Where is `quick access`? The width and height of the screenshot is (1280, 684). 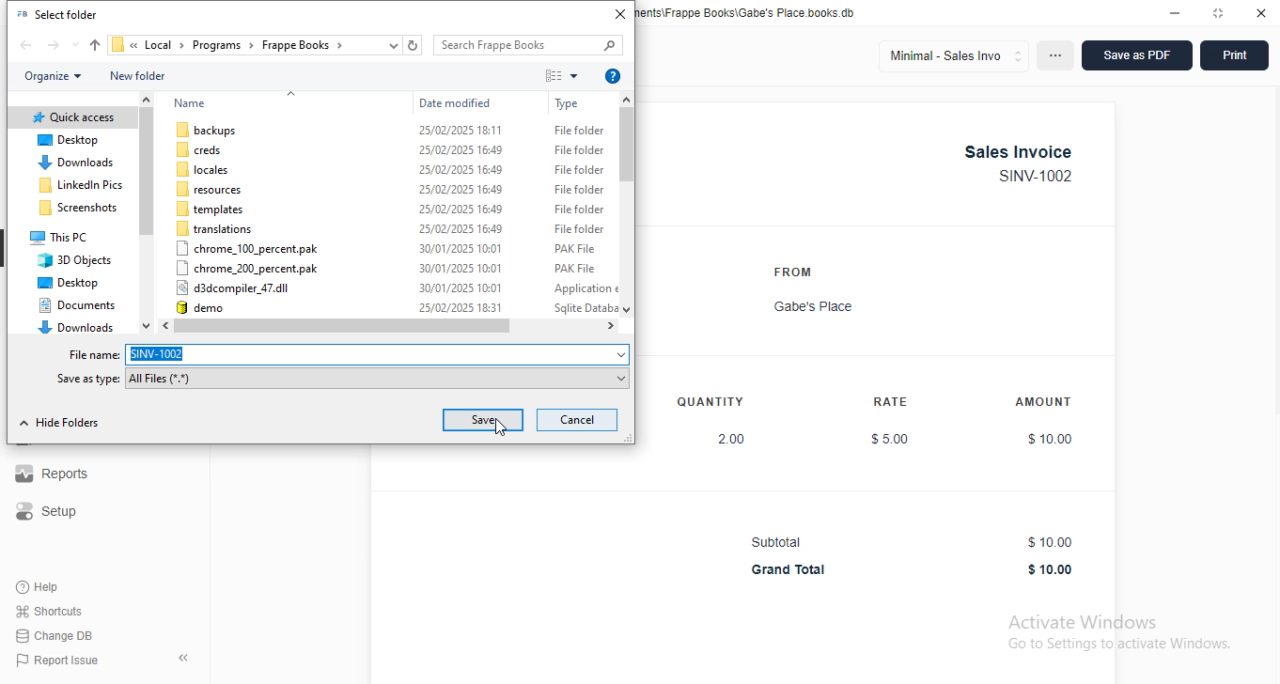
quick access is located at coordinates (74, 117).